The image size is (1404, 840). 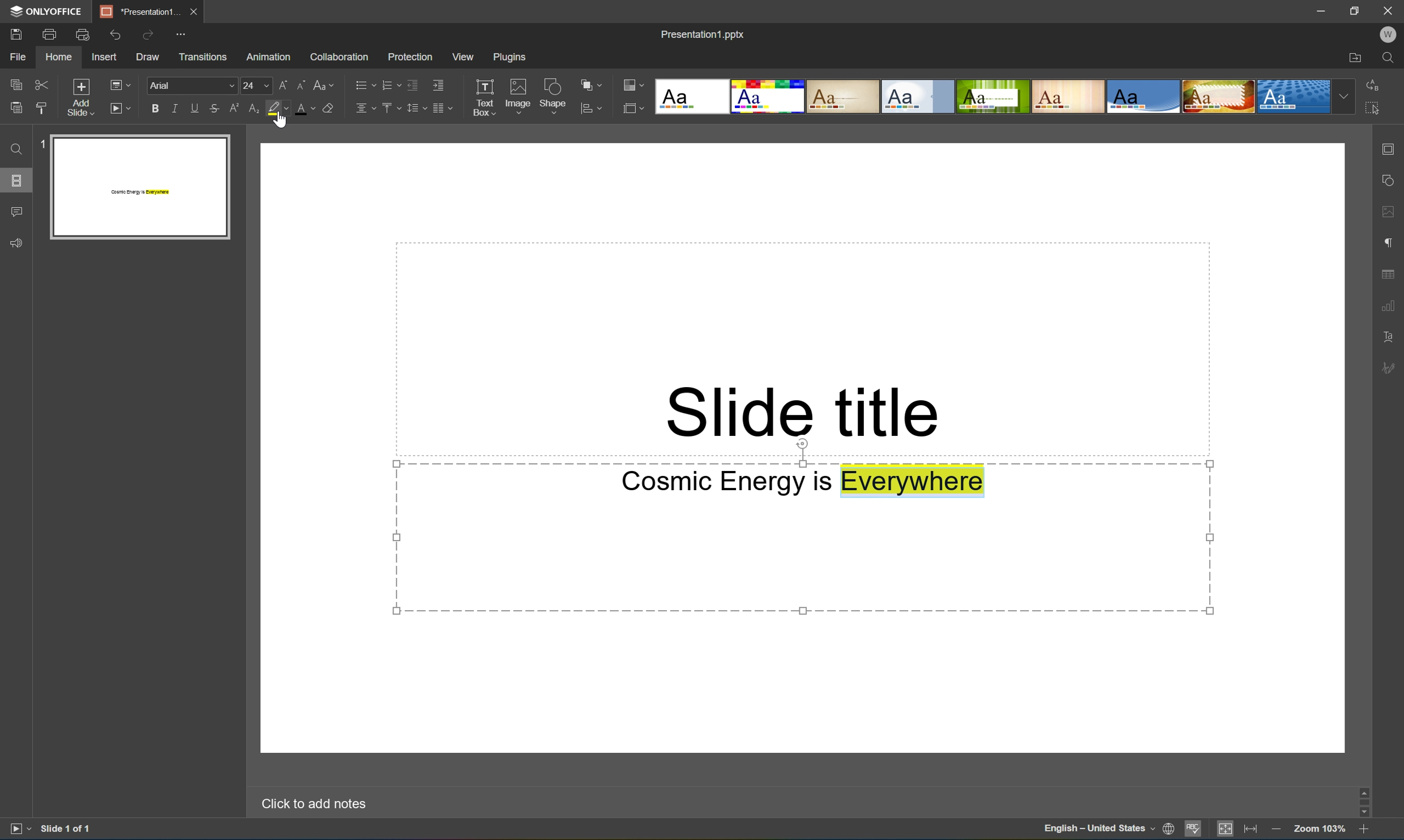 What do you see at coordinates (188, 87) in the screenshot?
I see `font` at bounding box center [188, 87].